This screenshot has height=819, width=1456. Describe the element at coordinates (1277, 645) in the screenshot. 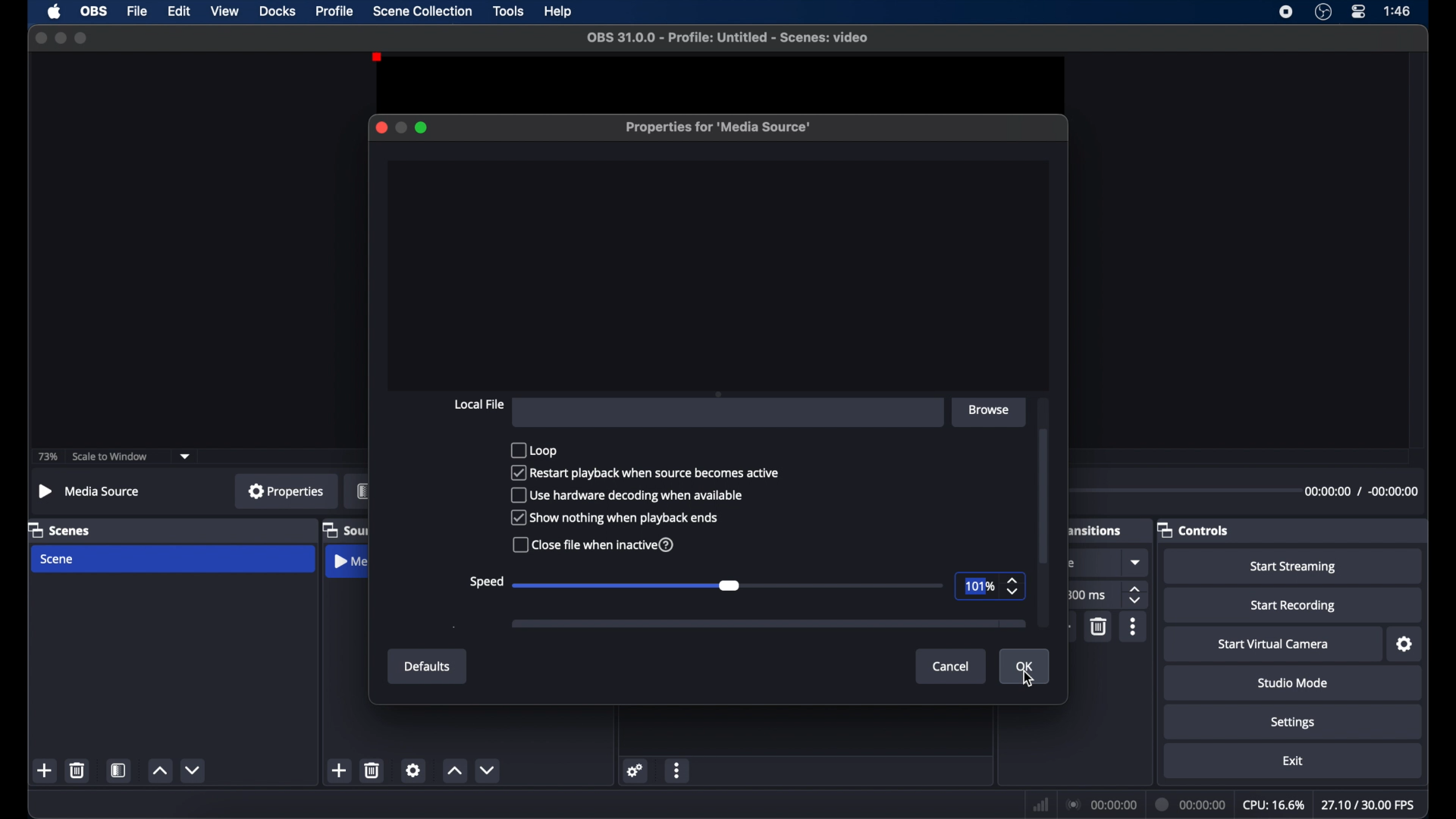

I see `start virtual camera` at that location.